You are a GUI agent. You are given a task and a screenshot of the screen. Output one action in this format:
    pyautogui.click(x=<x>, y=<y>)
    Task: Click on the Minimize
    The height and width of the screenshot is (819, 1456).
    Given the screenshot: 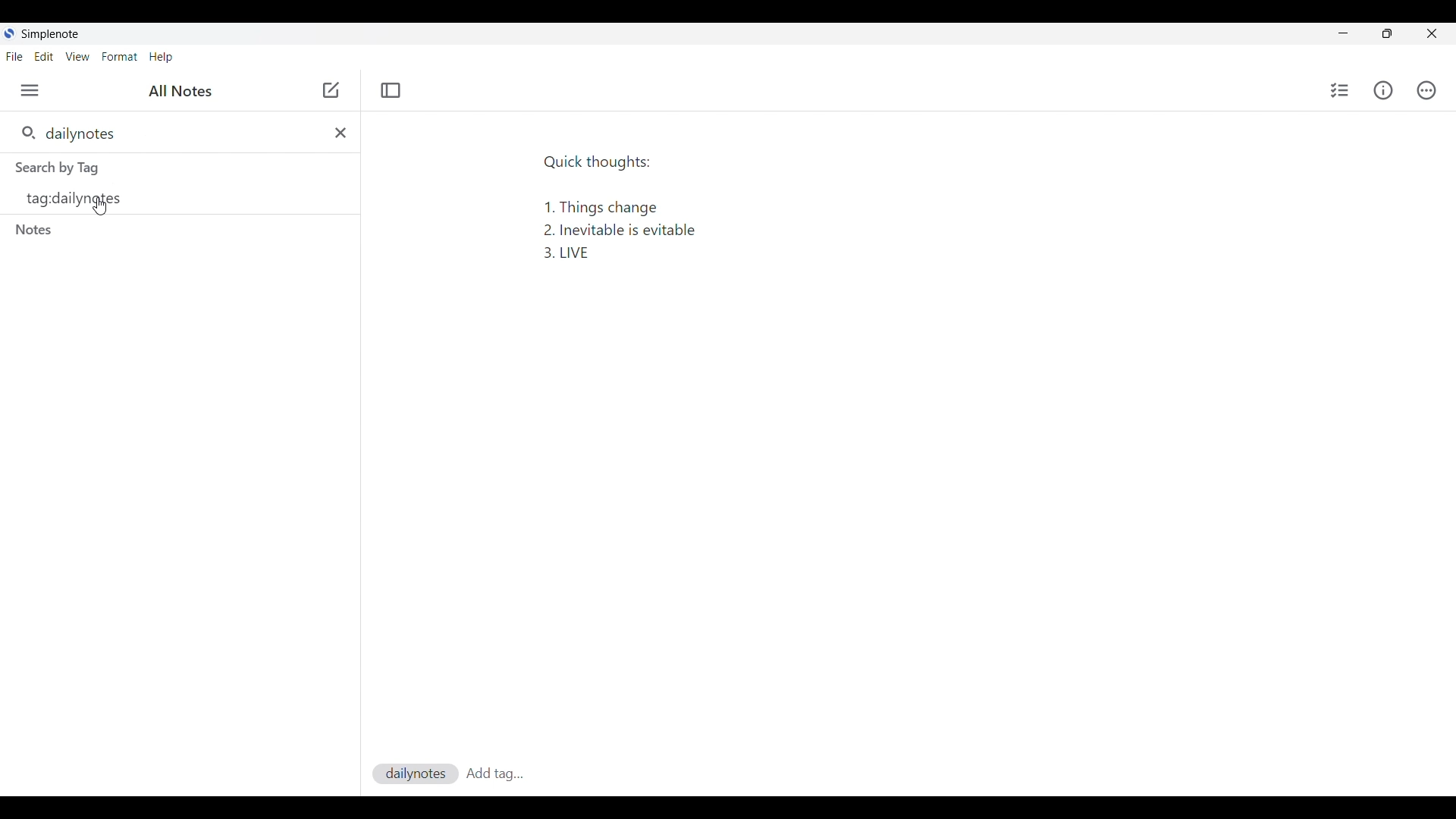 What is the action you would take?
    pyautogui.click(x=1343, y=33)
    